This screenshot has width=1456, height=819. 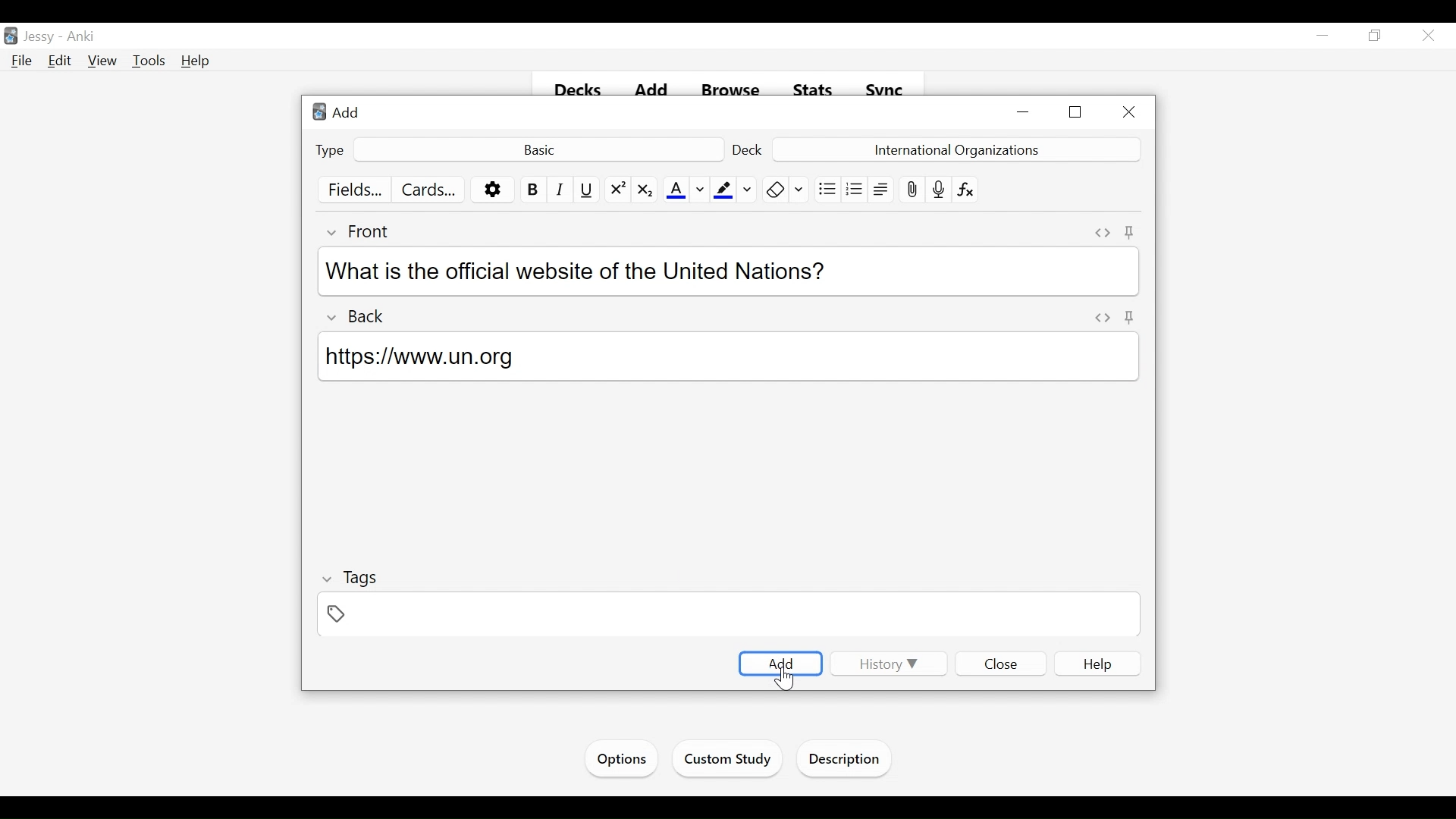 I want to click on Description, so click(x=846, y=761).